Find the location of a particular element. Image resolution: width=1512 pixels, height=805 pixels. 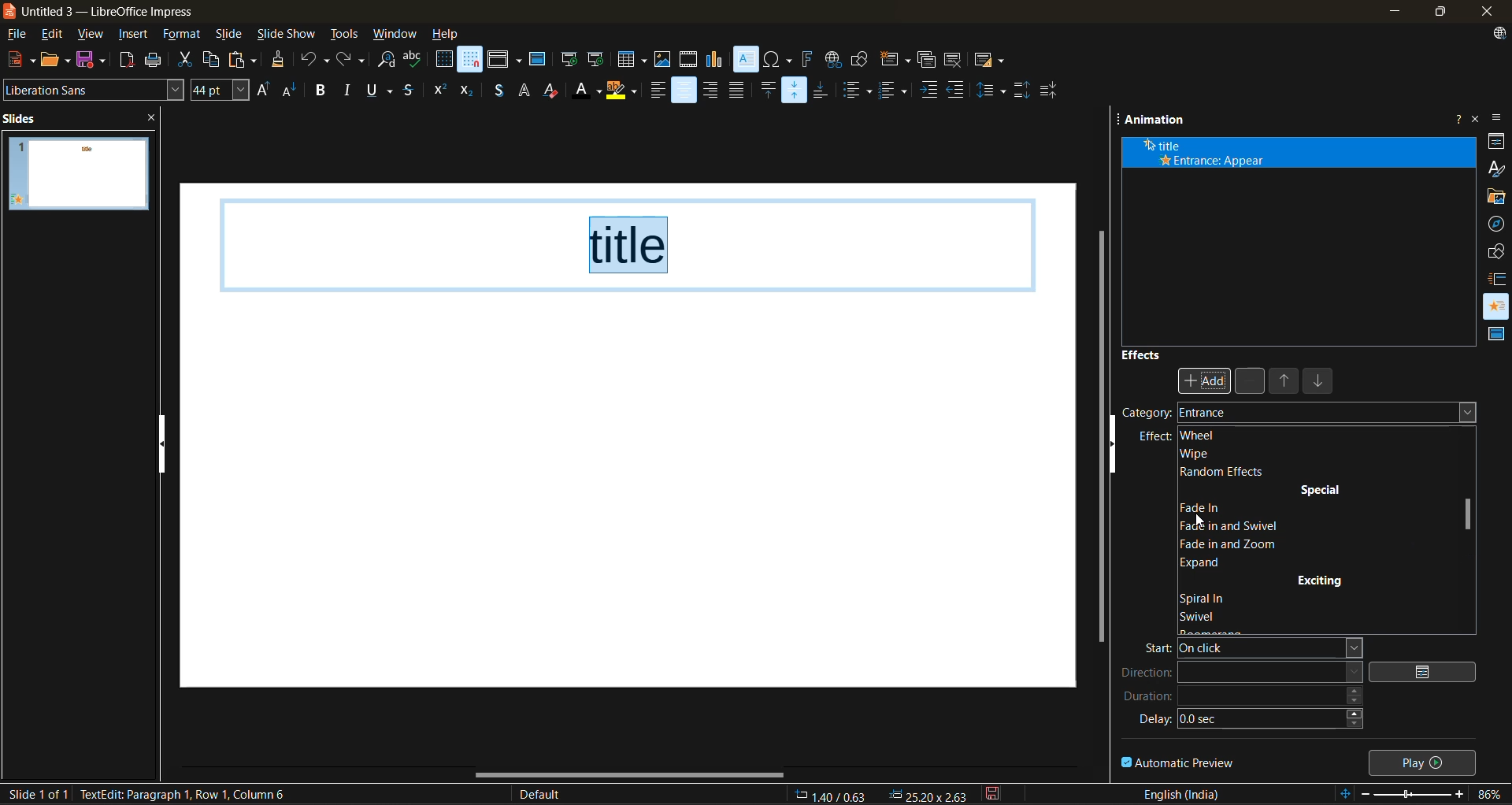

tools is located at coordinates (345, 36).